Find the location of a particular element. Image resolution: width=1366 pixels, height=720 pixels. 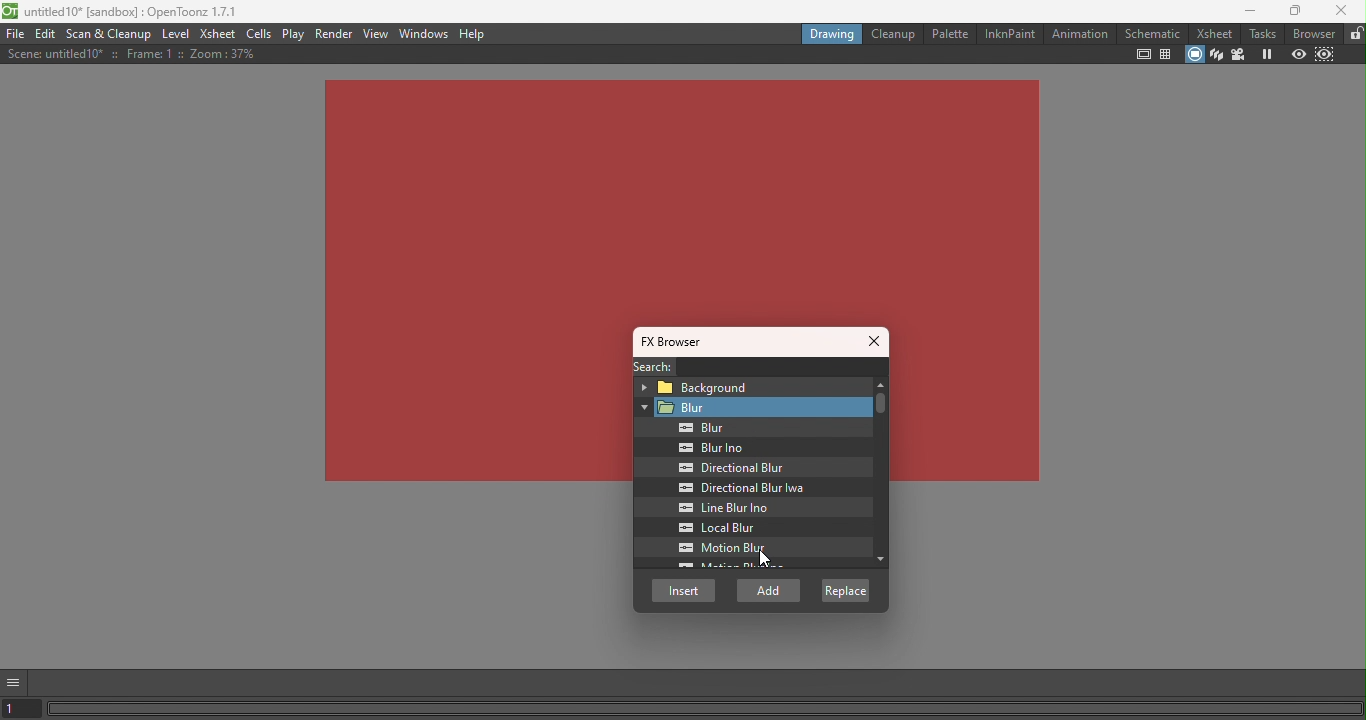

FX browser is located at coordinates (679, 342).